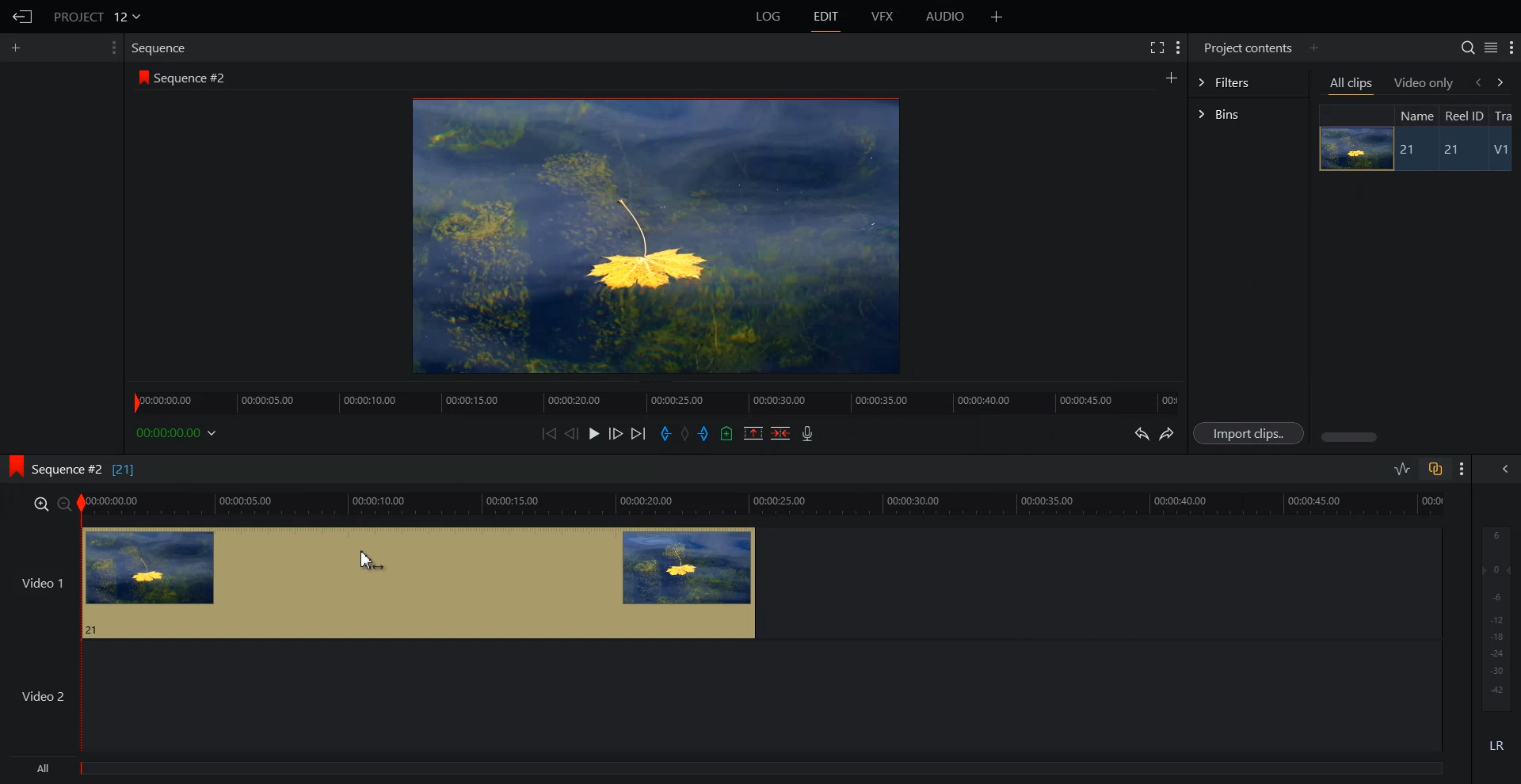 This screenshot has height=784, width=1521. Describe the element at coordinates (1351, 148) in the screenshot. I see `Image` at that location.